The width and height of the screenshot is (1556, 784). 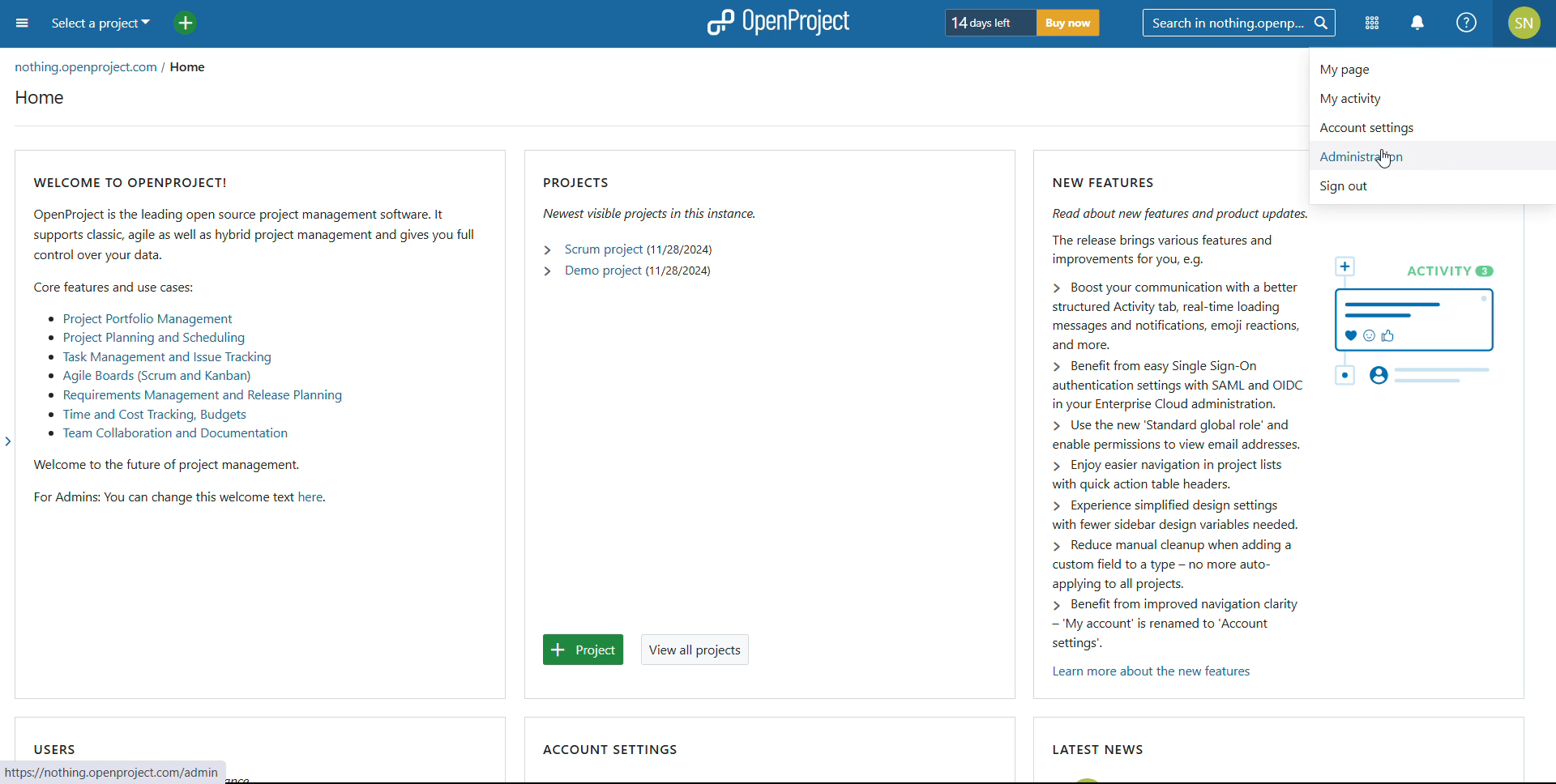 I want to click on organization url, so click(x=88, y=69).